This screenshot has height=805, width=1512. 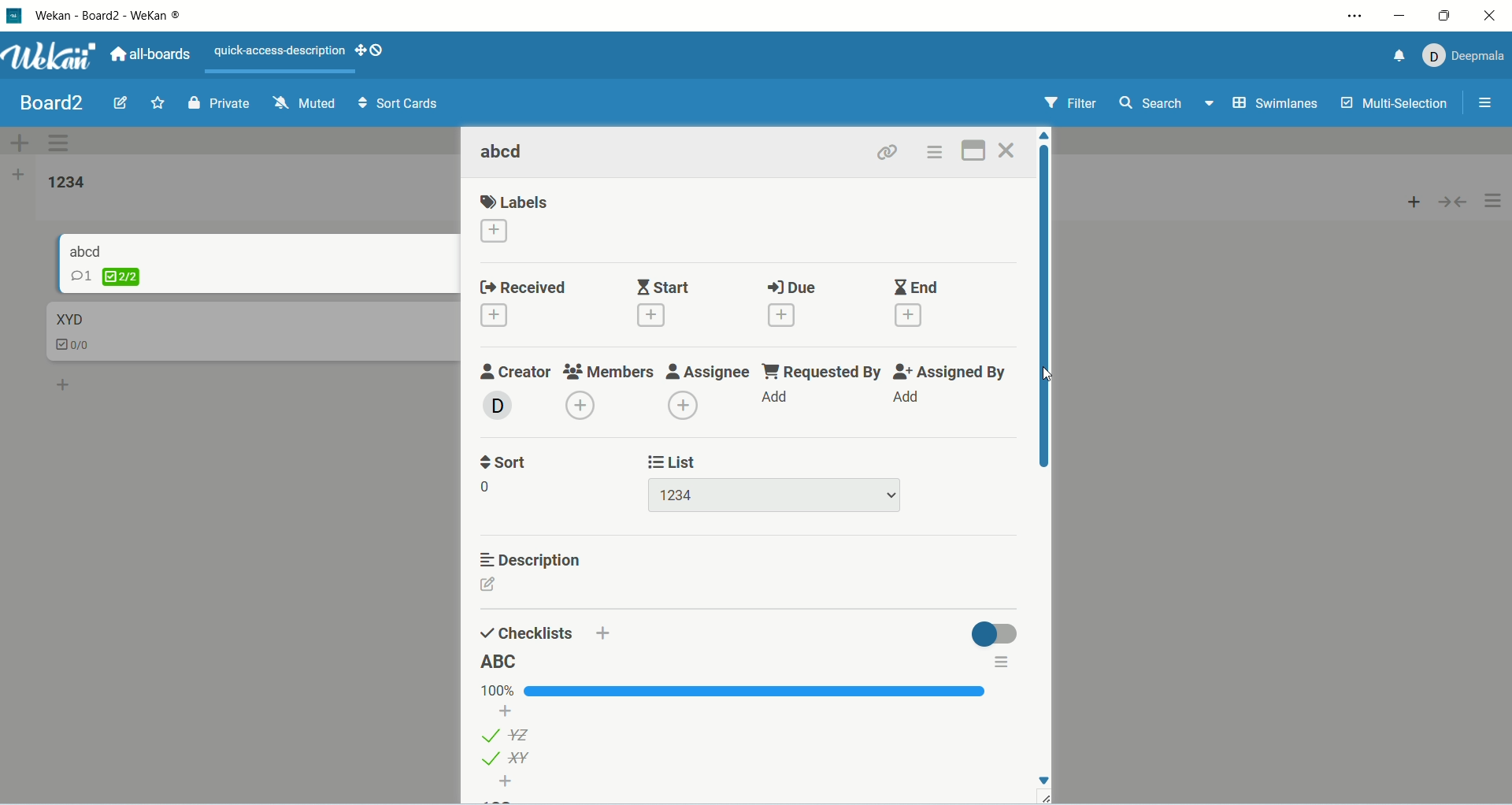 What do you see at coordinates (509, 735) in the screenshot?
I see `list` at bounding box center [509, 735].